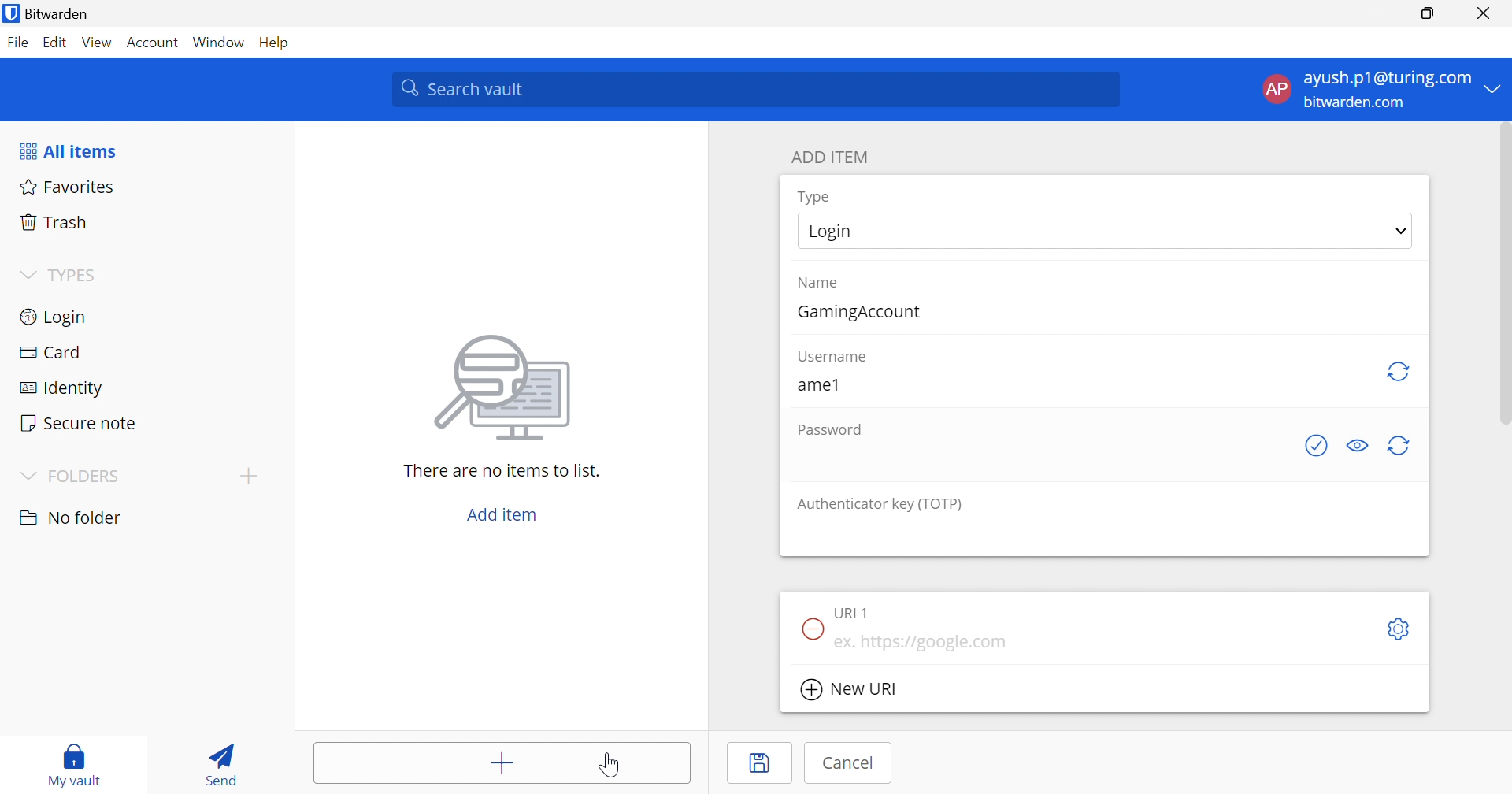 Image resolution: width=1512 pixels, height=794 pixels. What do you see at coordinates (1401, 445) in the screenshot?
I see `Generate password` at bounding box center [1401, 445].